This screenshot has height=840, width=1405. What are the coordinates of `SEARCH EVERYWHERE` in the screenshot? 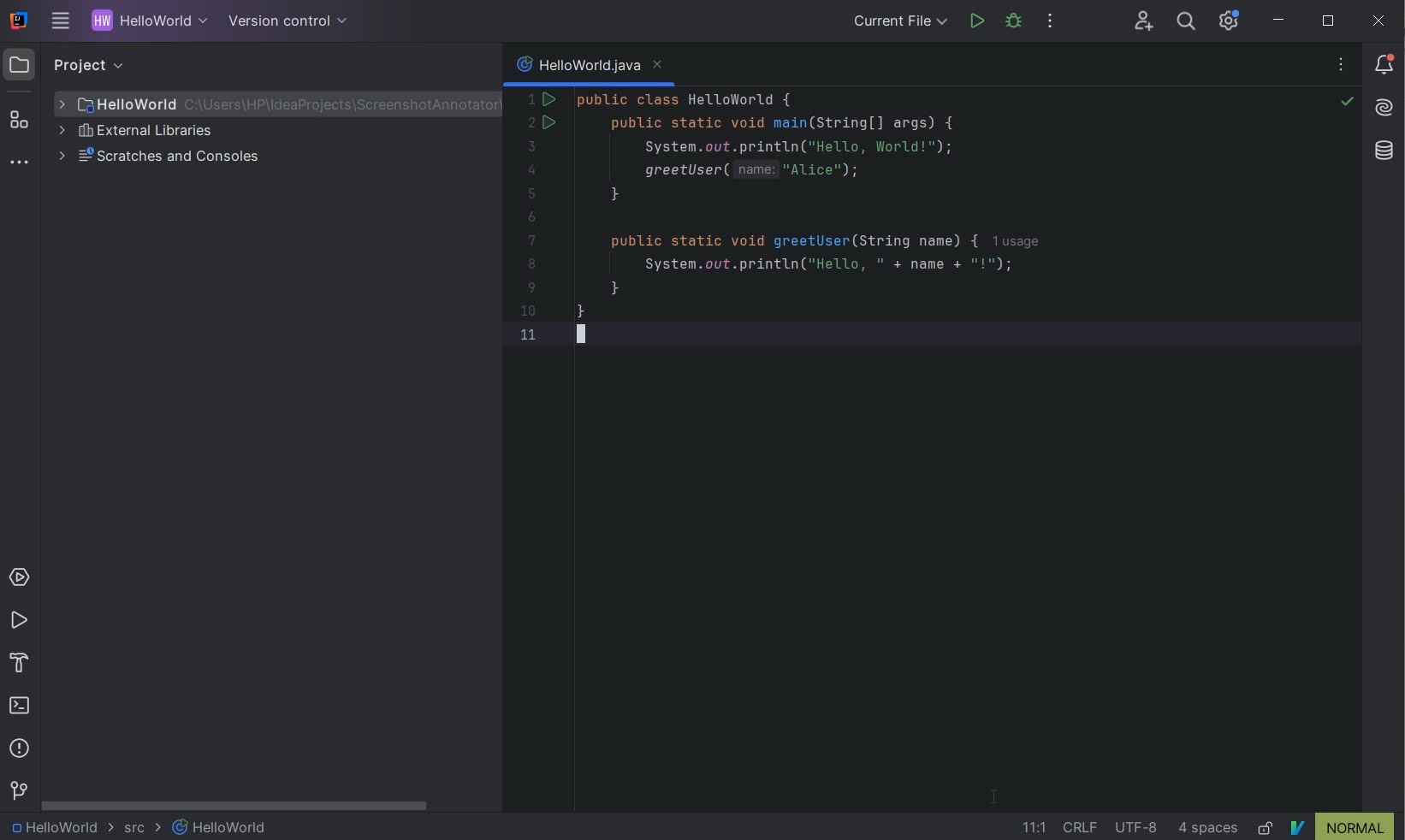 It's located at (1185, 23).